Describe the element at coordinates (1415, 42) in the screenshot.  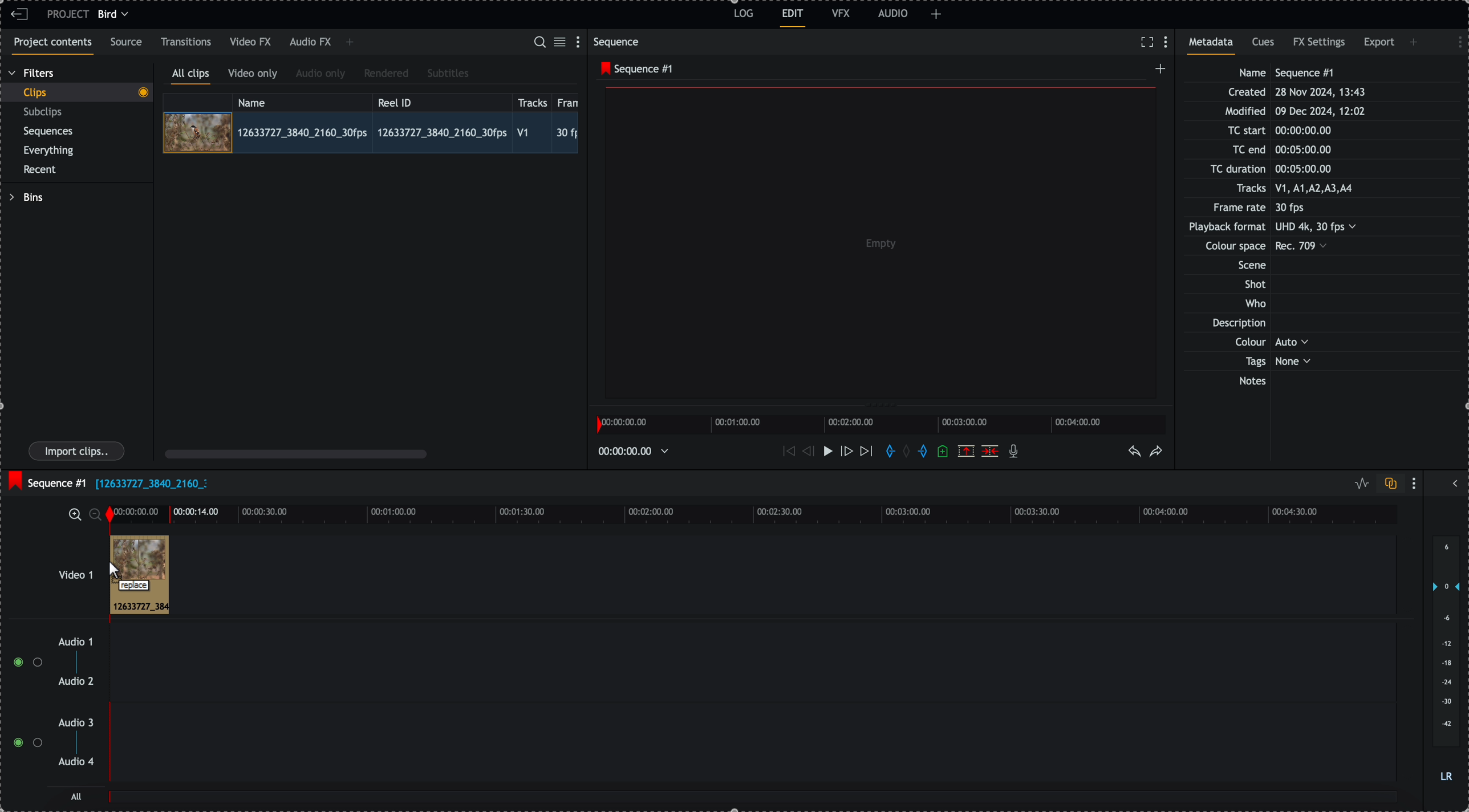
I see `add panel` at that location.